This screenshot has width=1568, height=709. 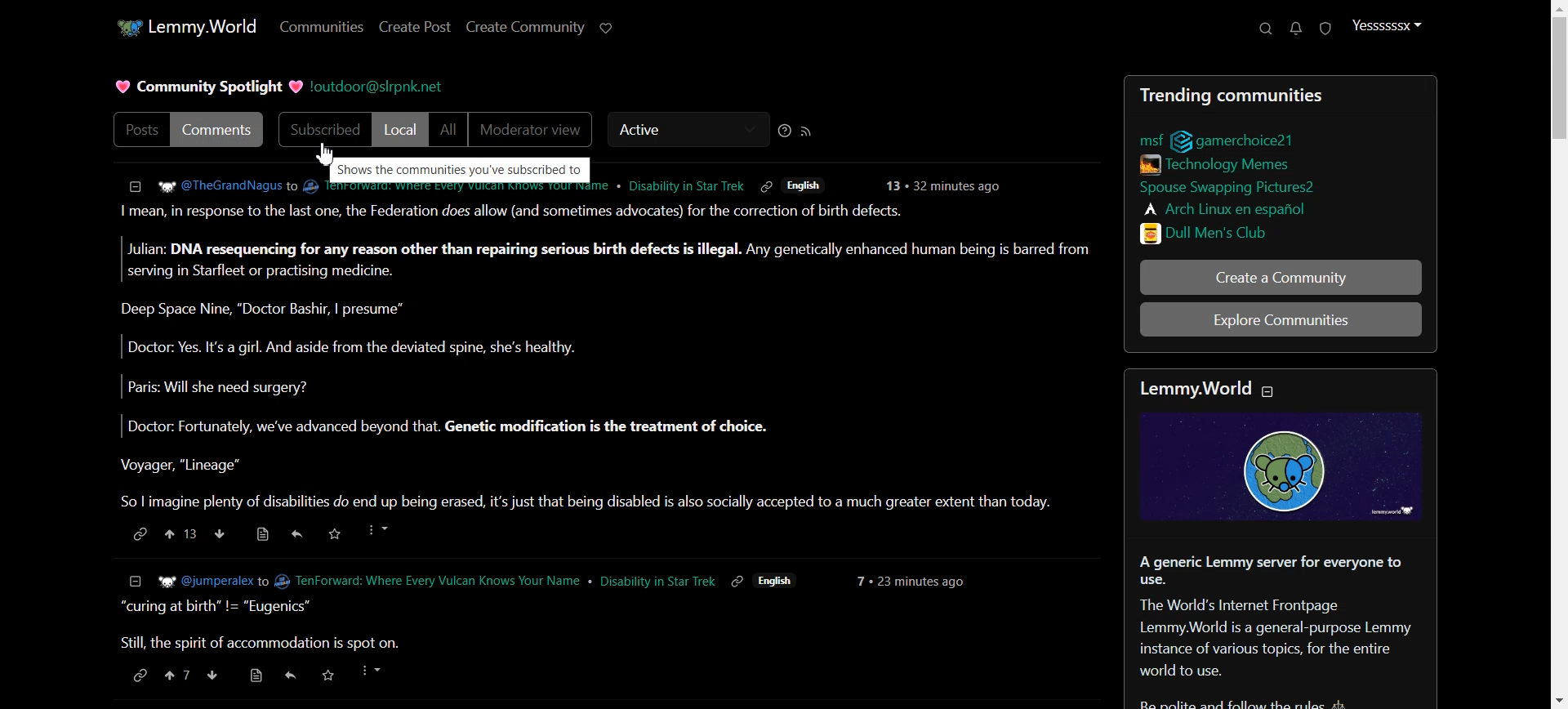 I want to click on bookmark, so click(x=252, y=675).